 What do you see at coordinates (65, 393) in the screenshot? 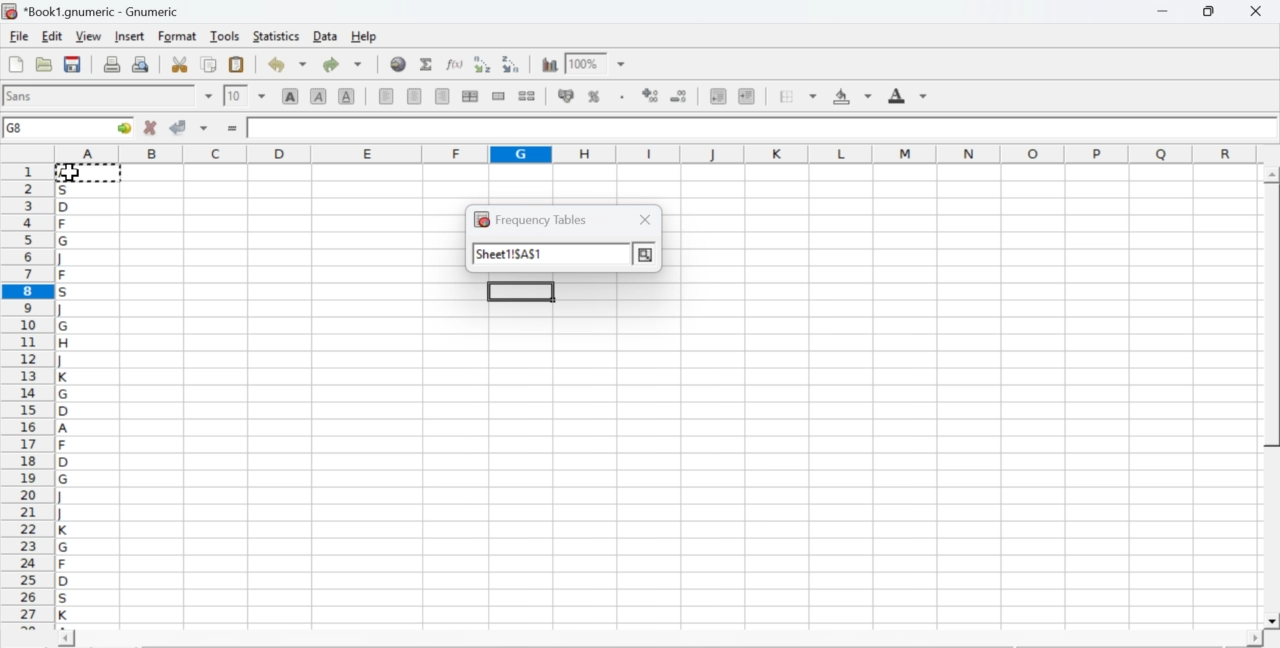
I see `alphabets` at bounding box center [65, 393].